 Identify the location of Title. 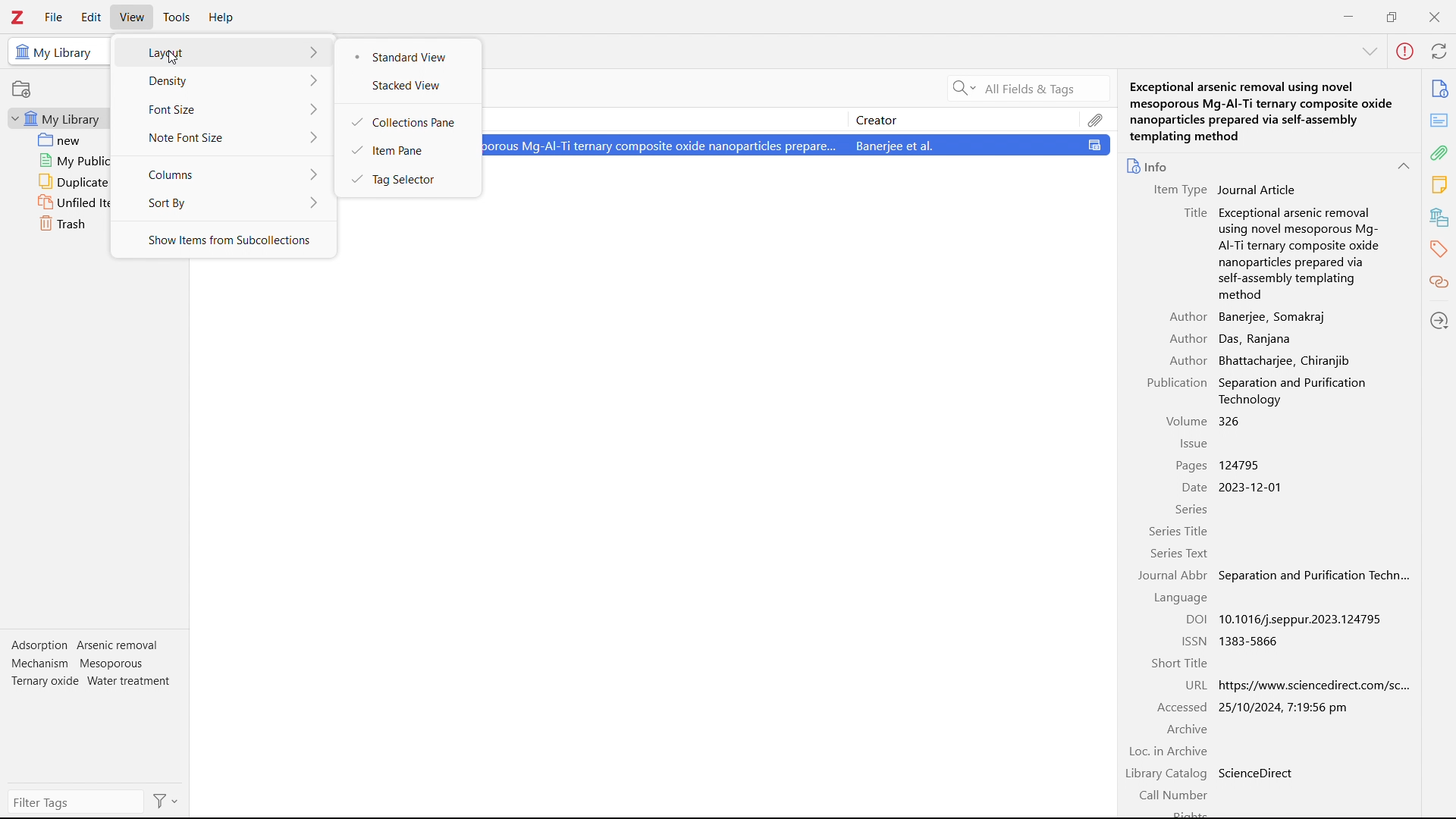
(1194, 214).